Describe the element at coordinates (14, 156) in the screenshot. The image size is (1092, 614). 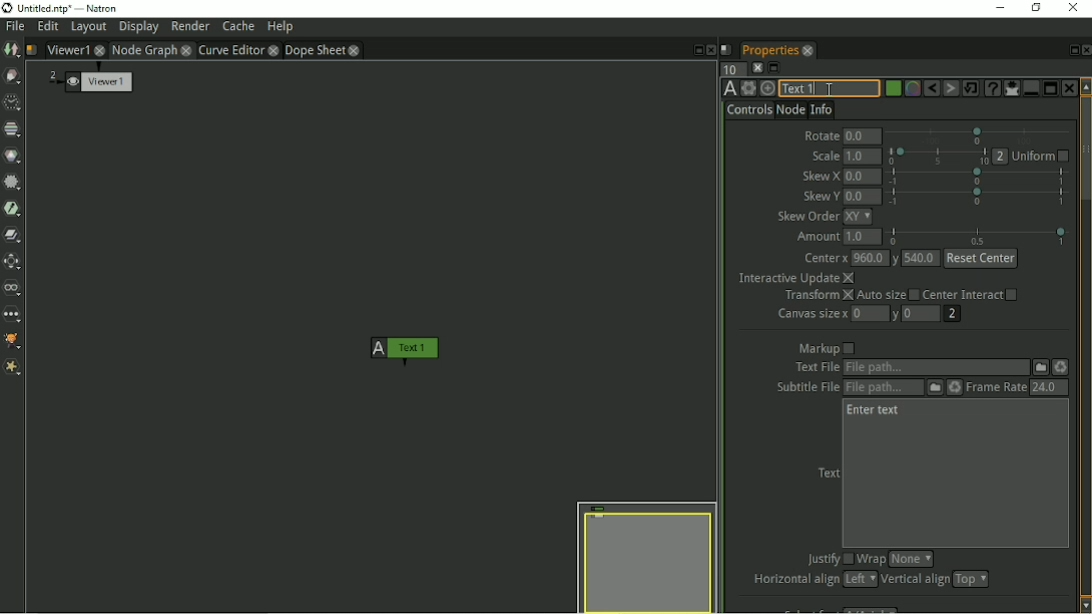
I see `Color` at that location.